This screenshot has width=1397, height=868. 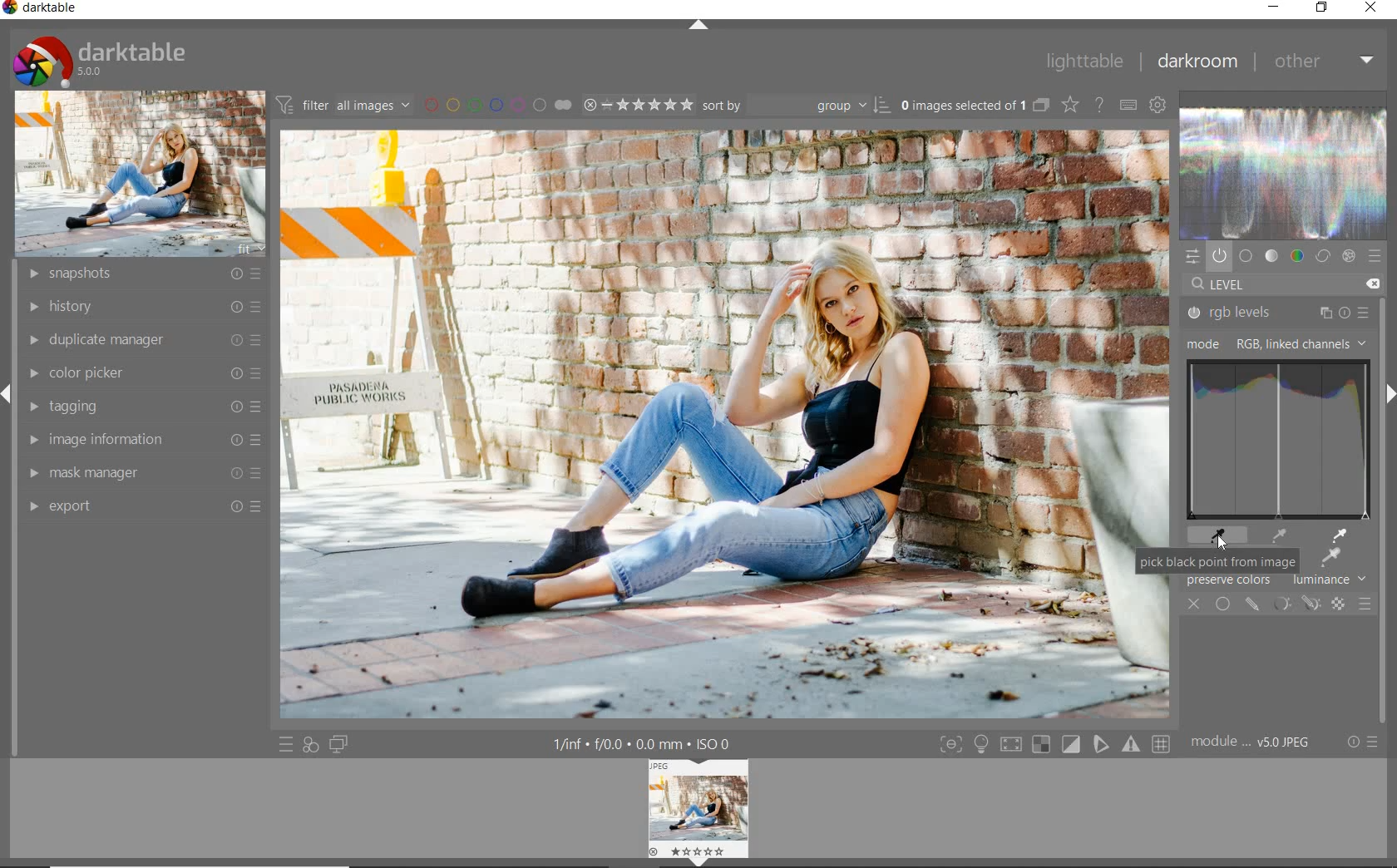 I want to click on export, so click(x=141, y=506).